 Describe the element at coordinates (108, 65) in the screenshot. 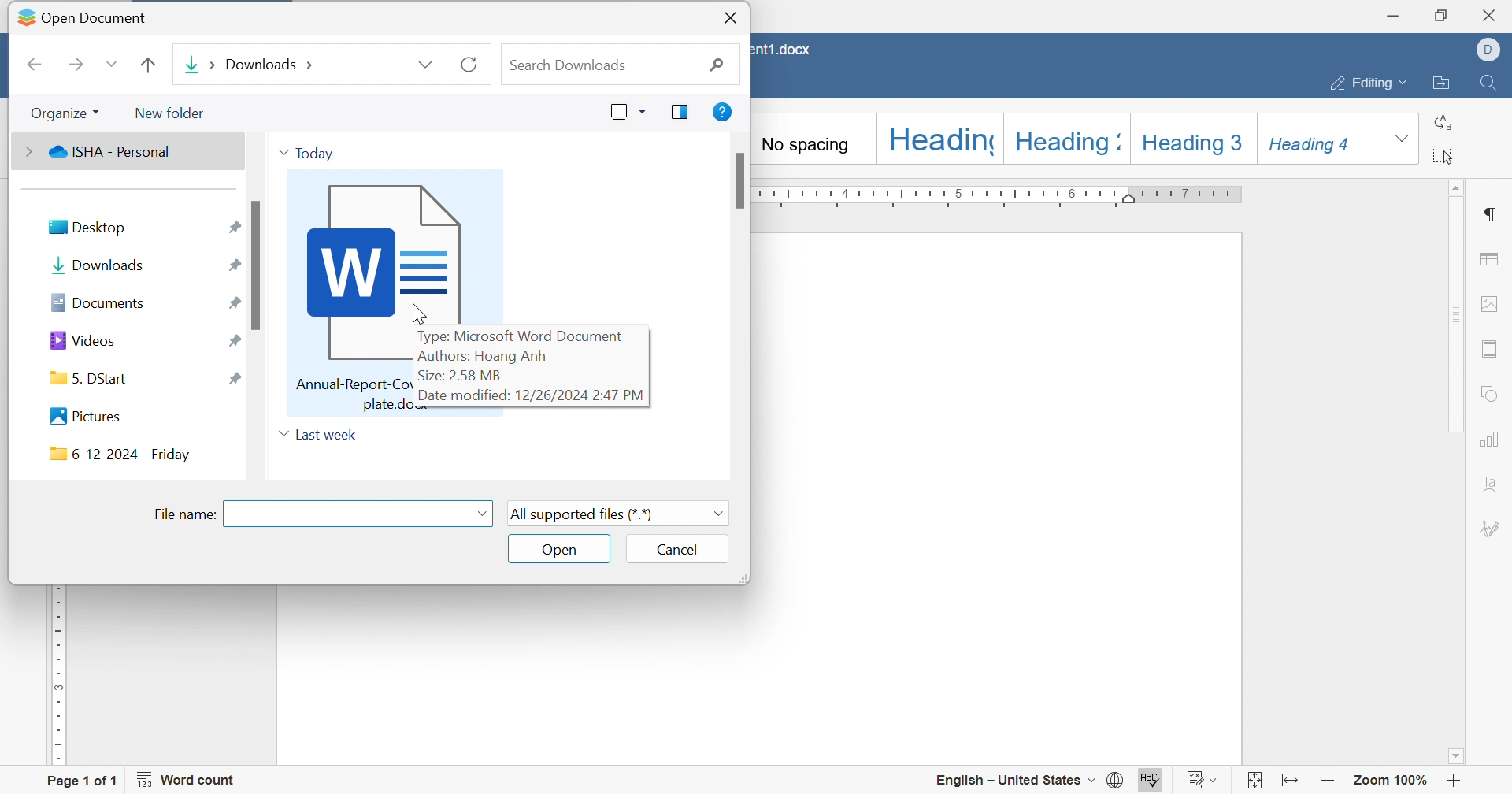

I see `drop down` at that location.